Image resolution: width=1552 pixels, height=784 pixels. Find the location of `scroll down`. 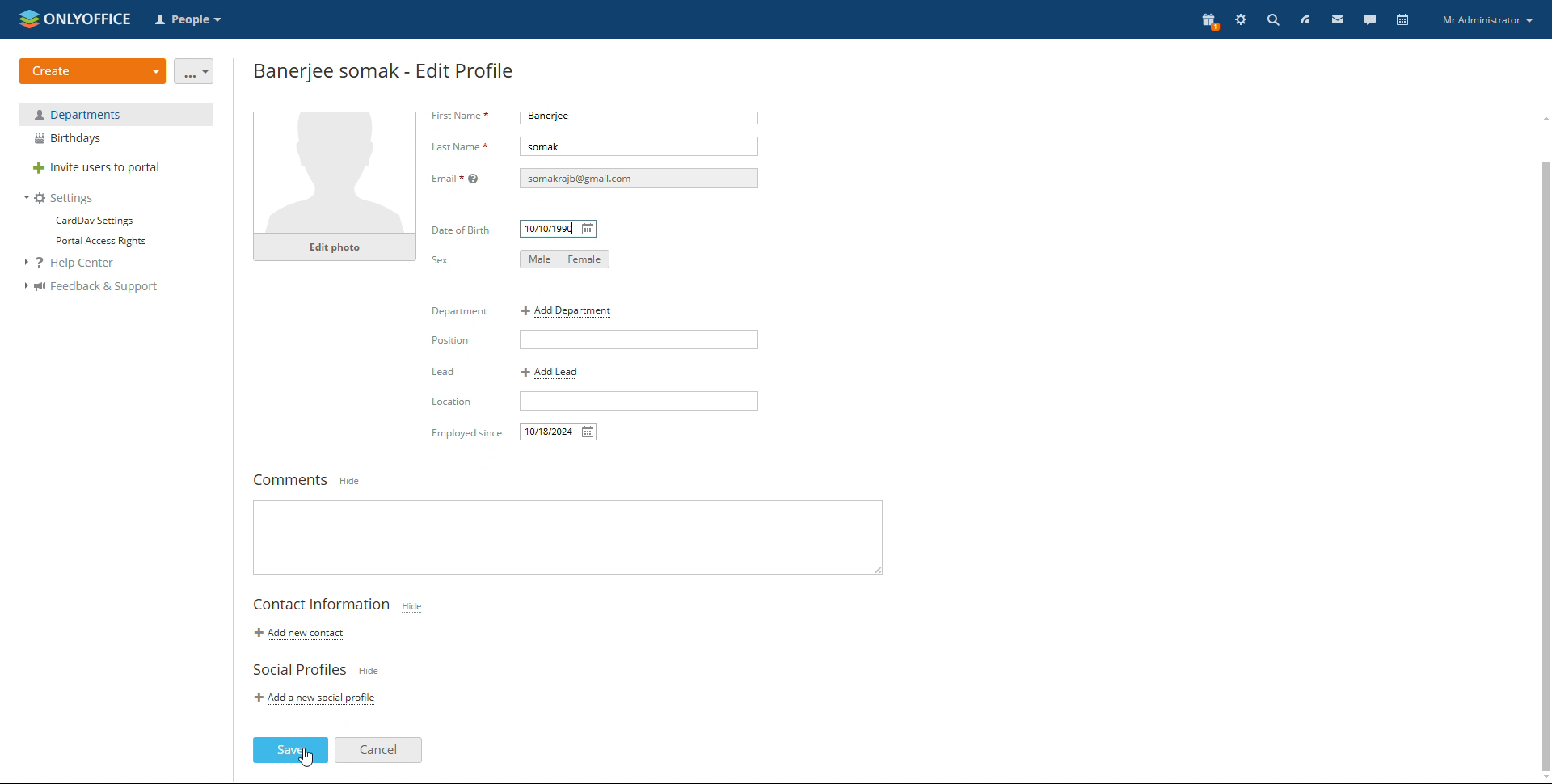

scroll down is located at coordinates (1542, 778).